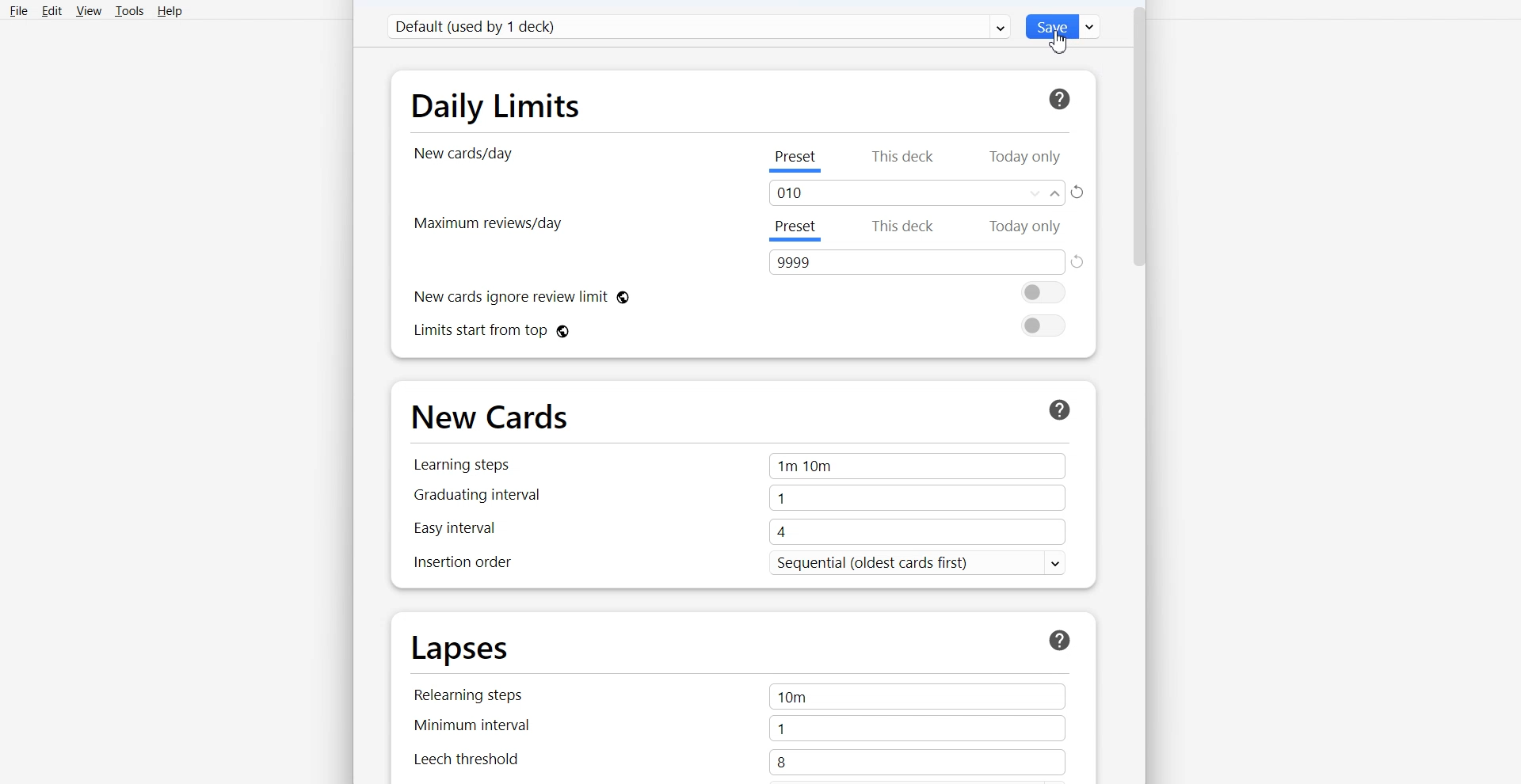 This screenshot has height=784, width=1521. Describe the element at coordinates (916, 696) in the screenshot. I see `10m` at that location.